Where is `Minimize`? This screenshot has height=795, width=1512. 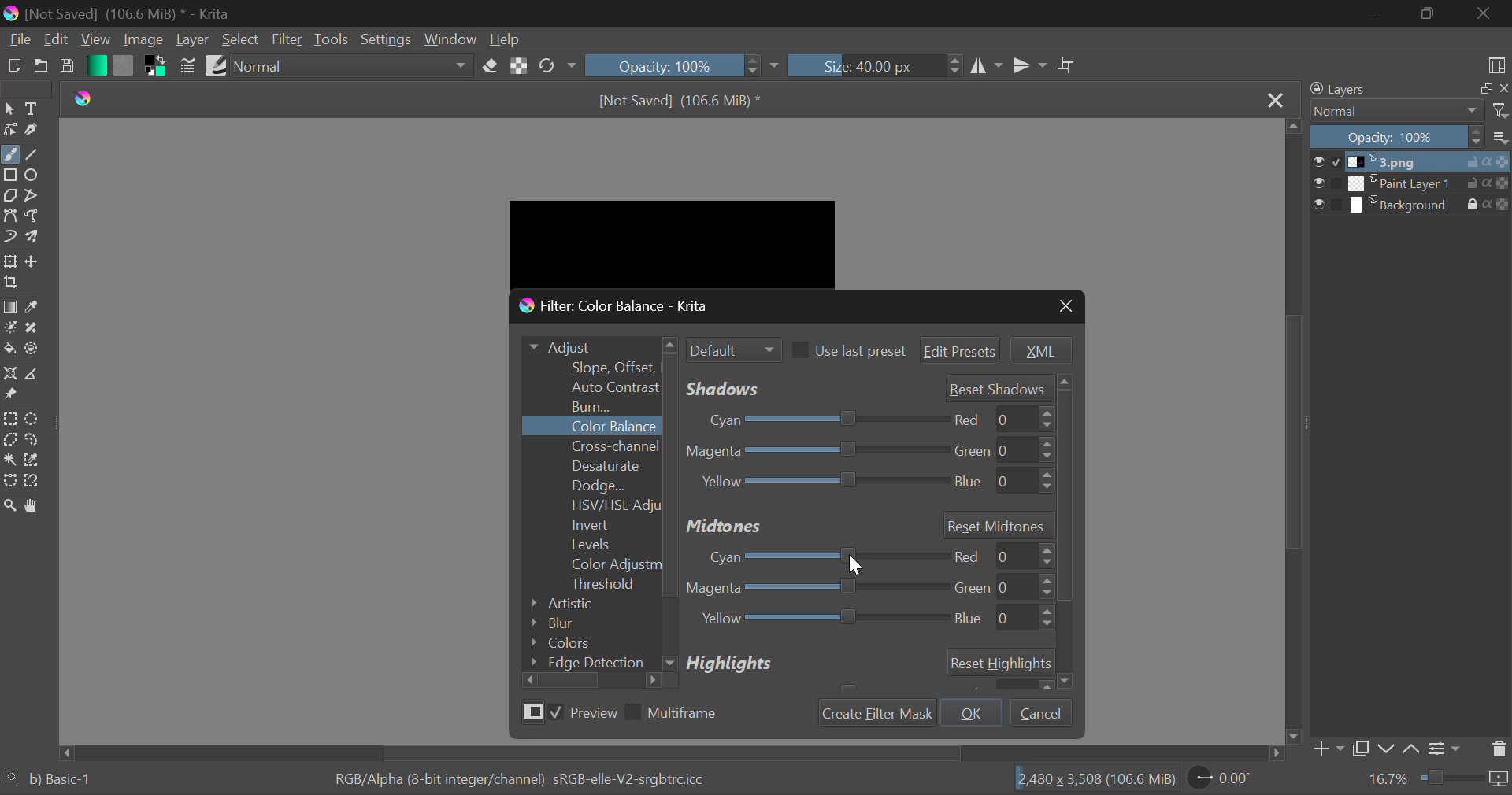
Minimize is located at coordinates (1426, 13).